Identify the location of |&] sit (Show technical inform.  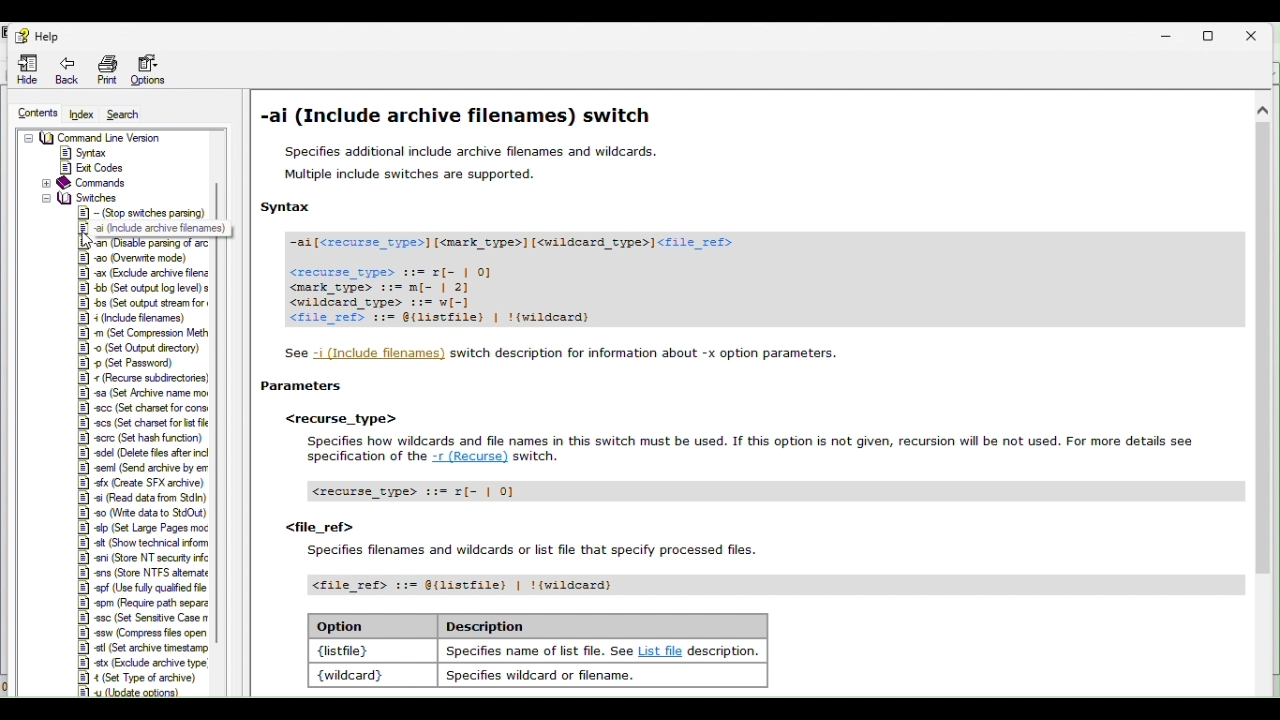
(146, 543).